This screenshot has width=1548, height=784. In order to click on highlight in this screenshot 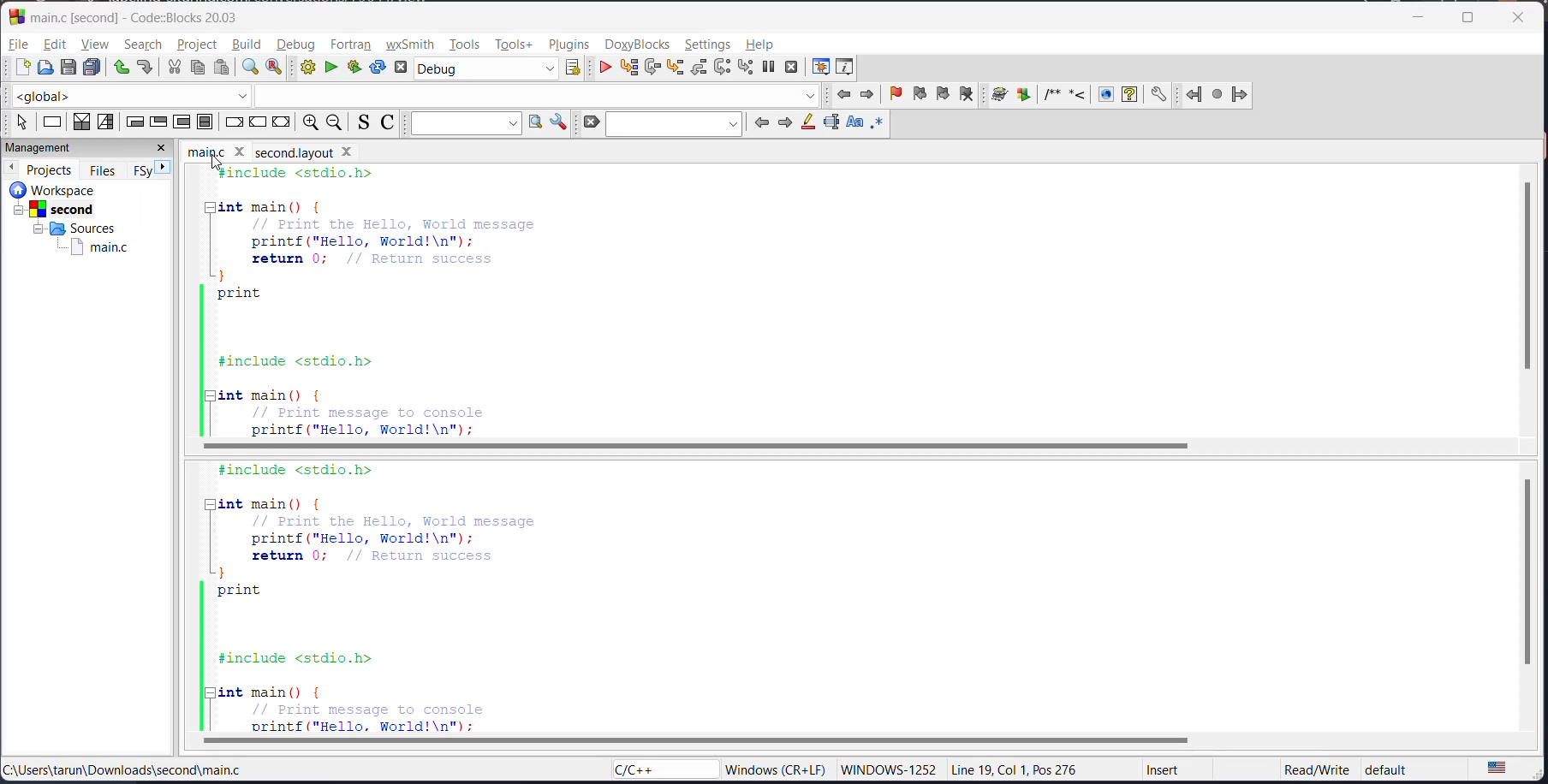, I will do `click(808, 123)`.